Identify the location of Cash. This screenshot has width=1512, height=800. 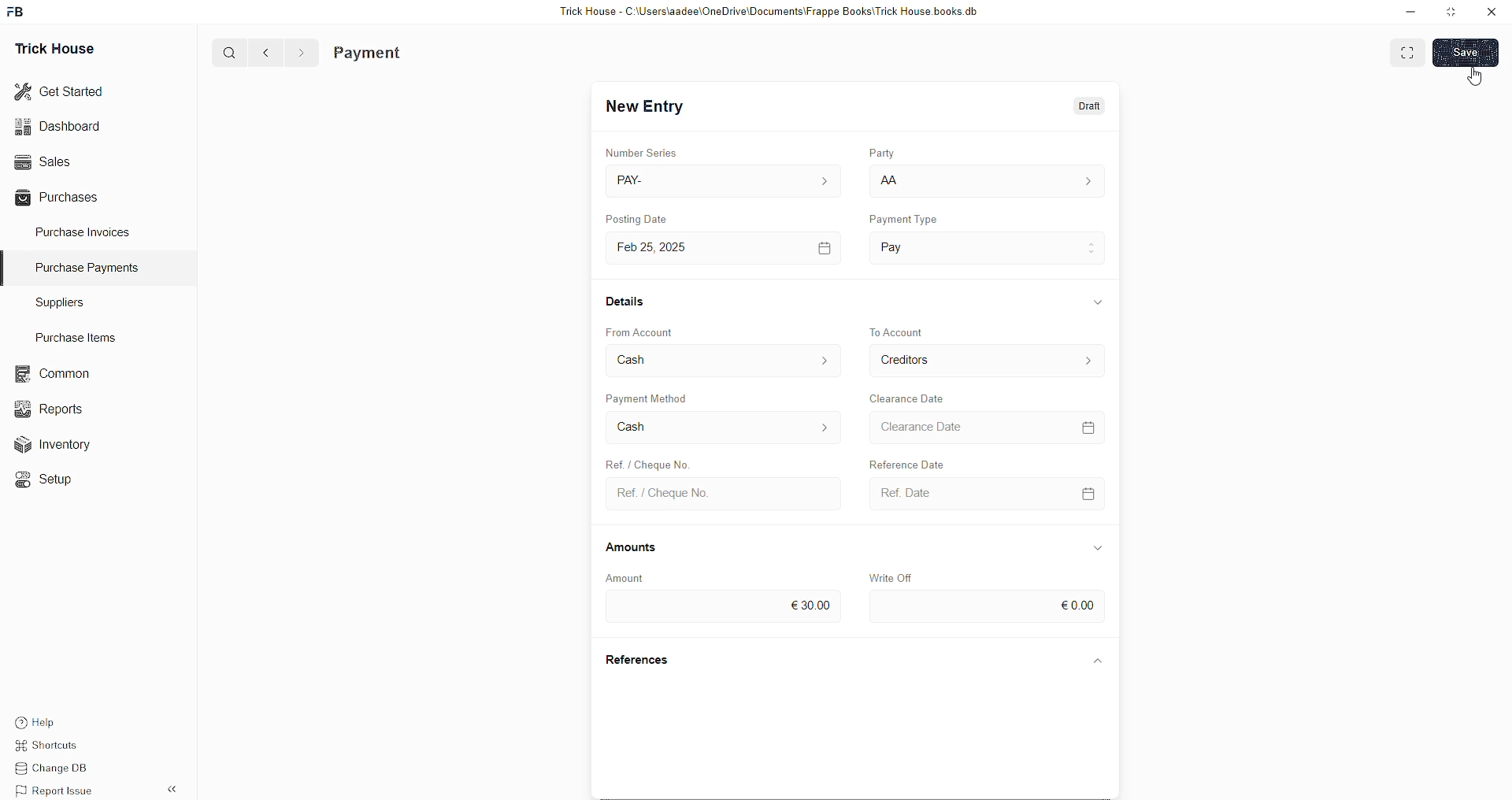
(636, 426).